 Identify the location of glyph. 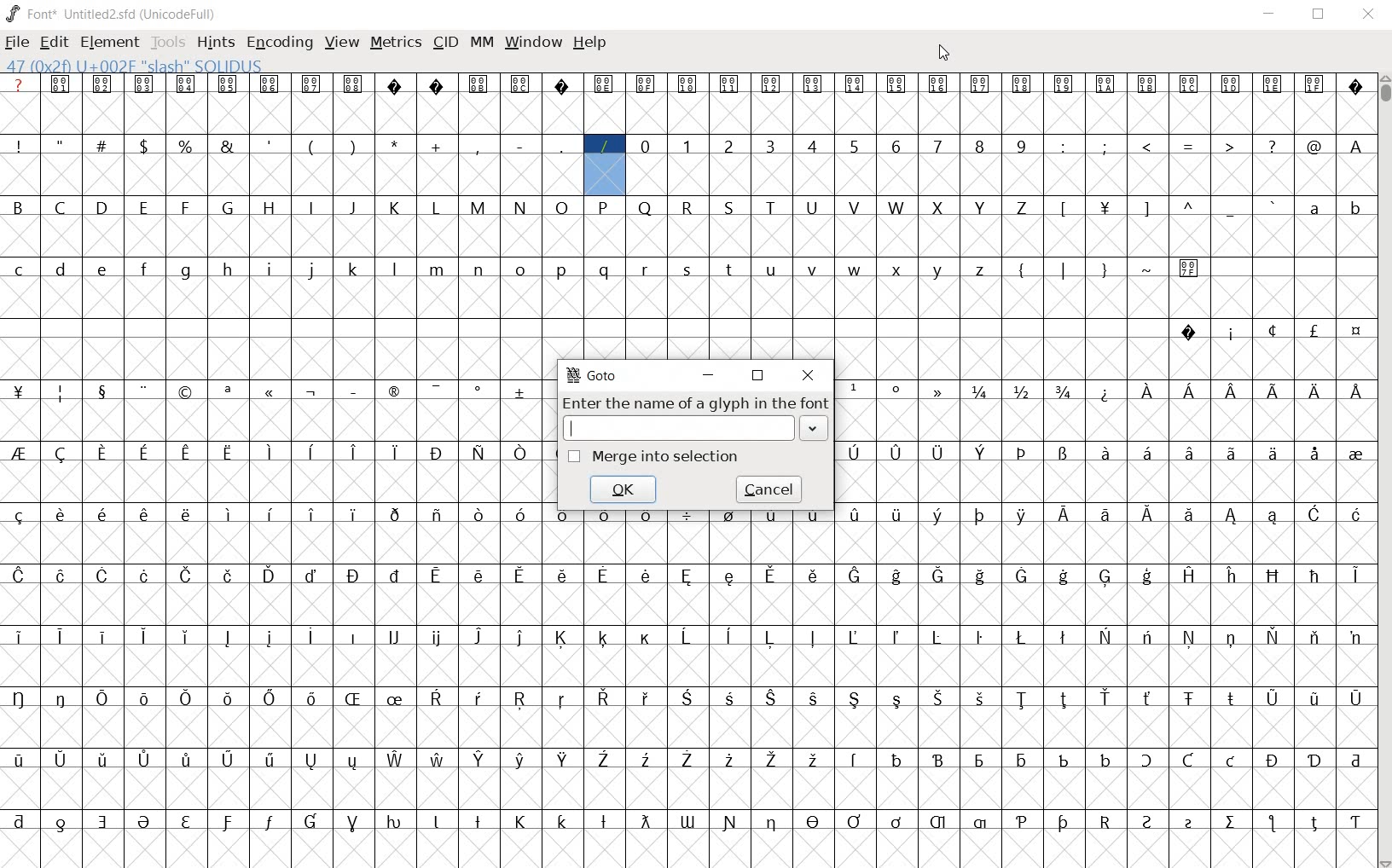
(1190, 453).